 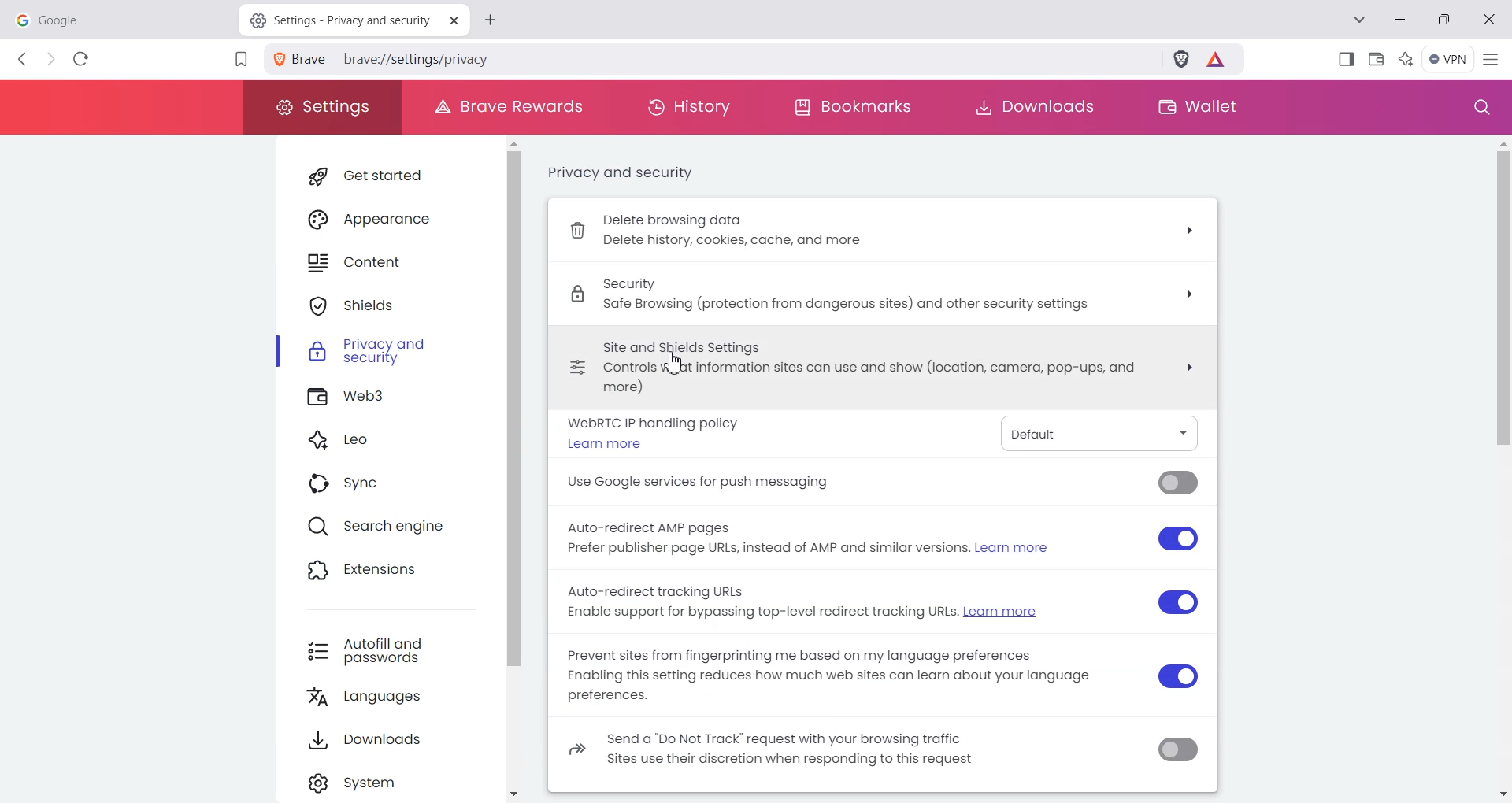 What do you see at coordinates (1033, 107) in the screenshot?
I see `Downloads` at bounding box center [1033, 107].